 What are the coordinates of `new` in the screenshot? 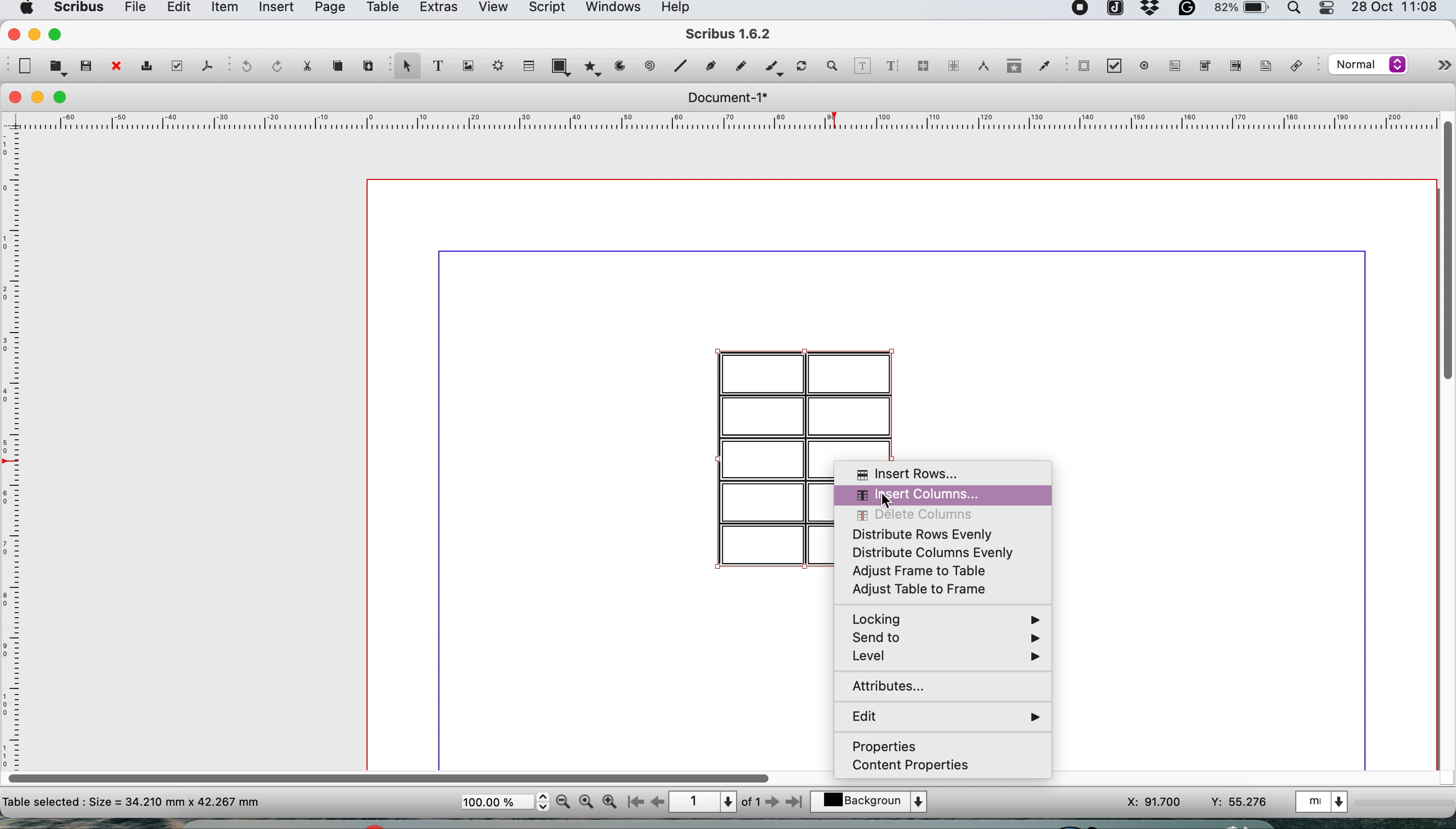 It's located at (23, 66).